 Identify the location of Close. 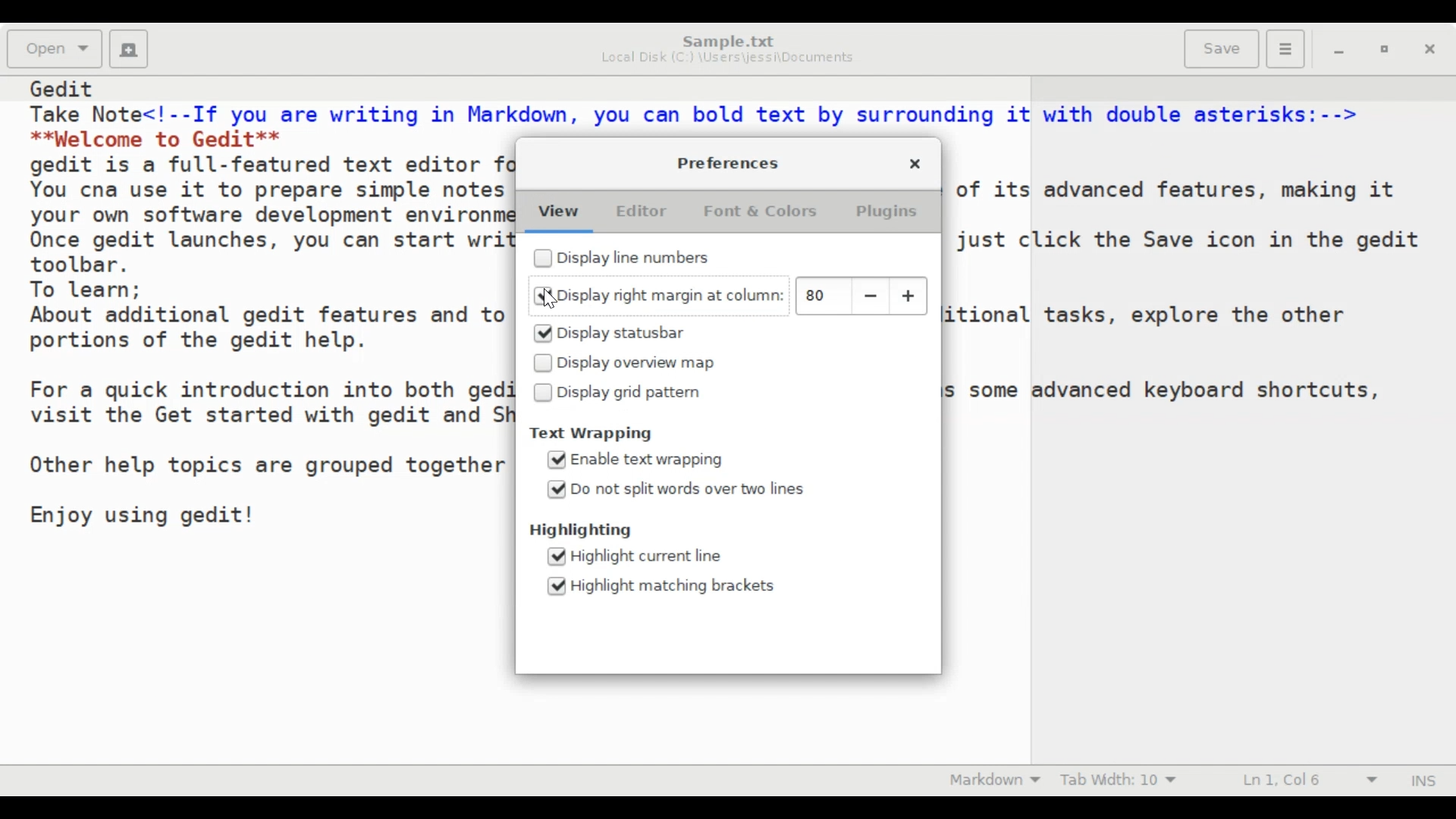
(916, 163).